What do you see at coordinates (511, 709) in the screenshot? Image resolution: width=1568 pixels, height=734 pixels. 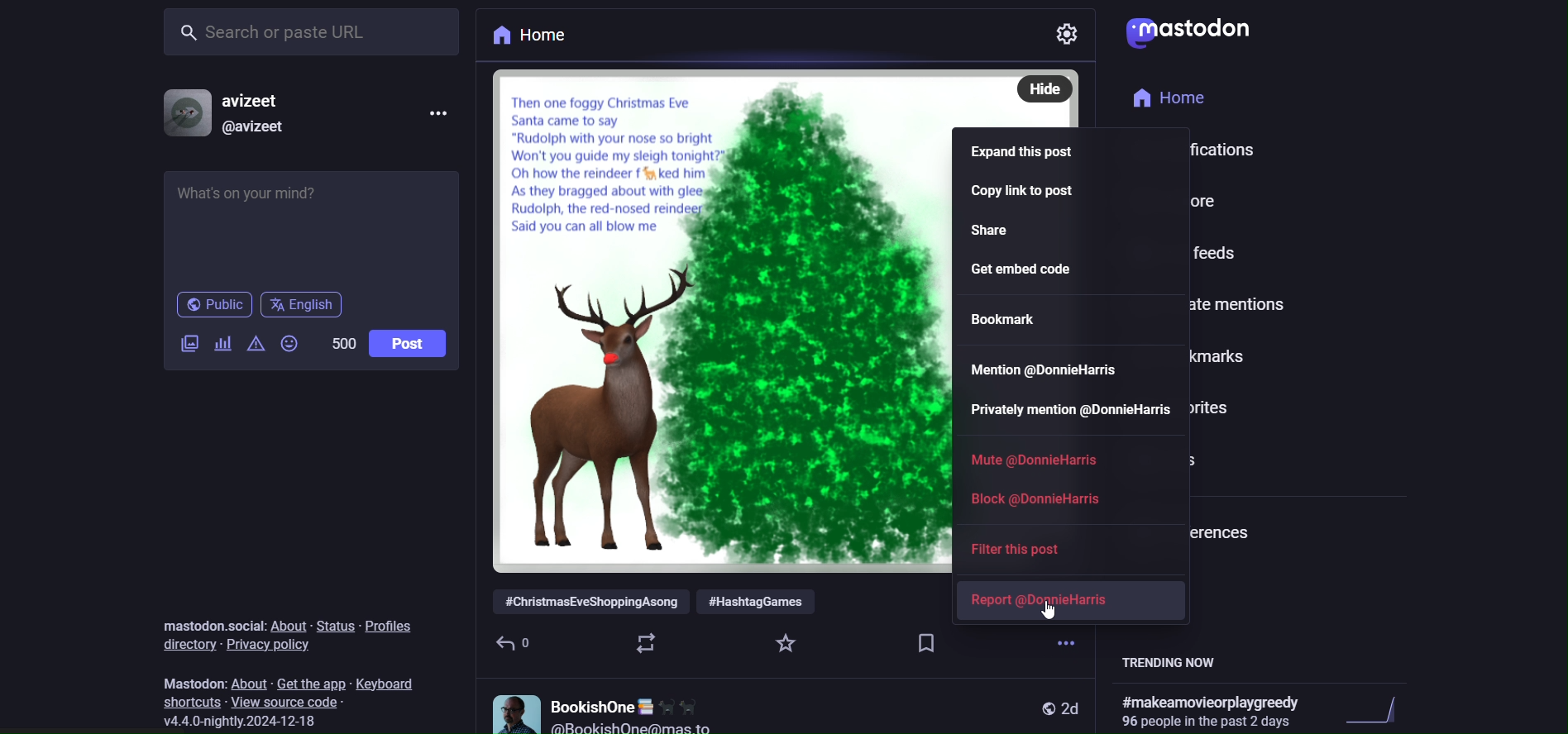 I see `profile picture` at bounding box center [511, 709].